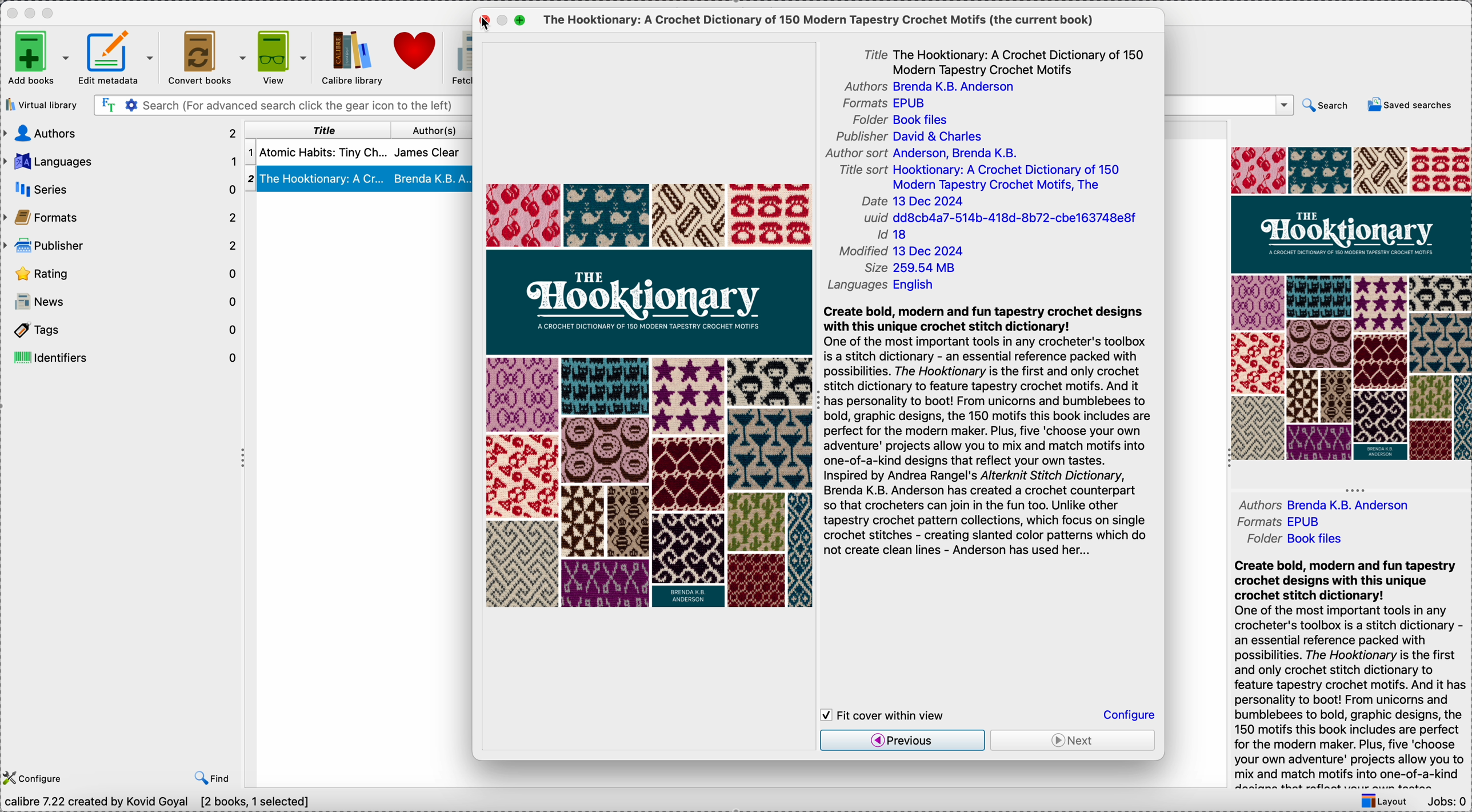 This screenshot has height=812, width=1472. What do you see at coordinates (921, 154) in the screenshot?
I see `author sort Anderson, Brenda K.B` at bounding box center [921, 154].